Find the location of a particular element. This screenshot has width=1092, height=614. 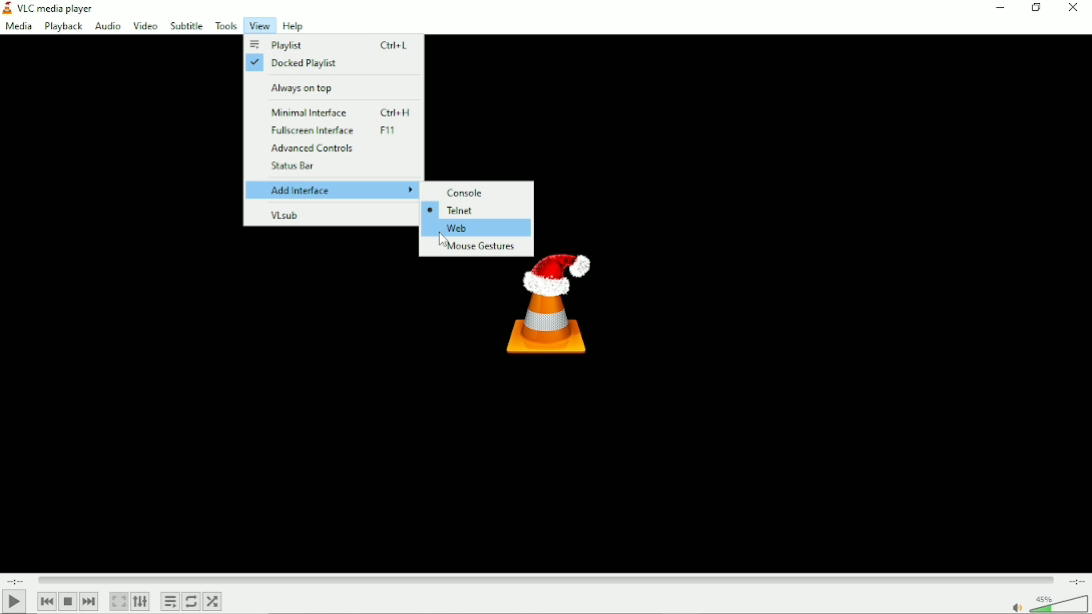

Media is located at coordinates (18, 26).